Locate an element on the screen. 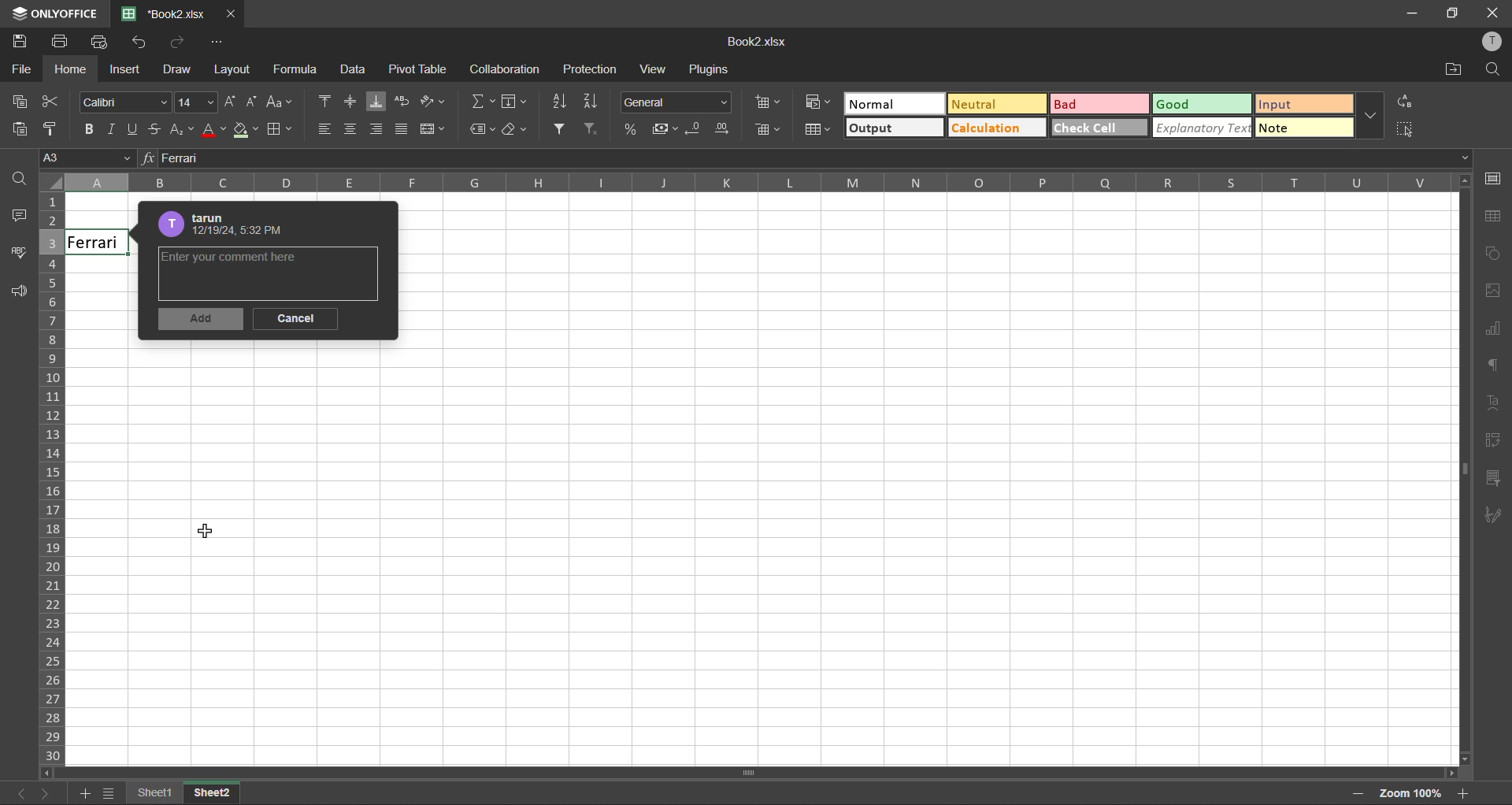 Image resolution: width=1512 pixels, height=805 pixels. Cursor is located at coordinates (202, 530).